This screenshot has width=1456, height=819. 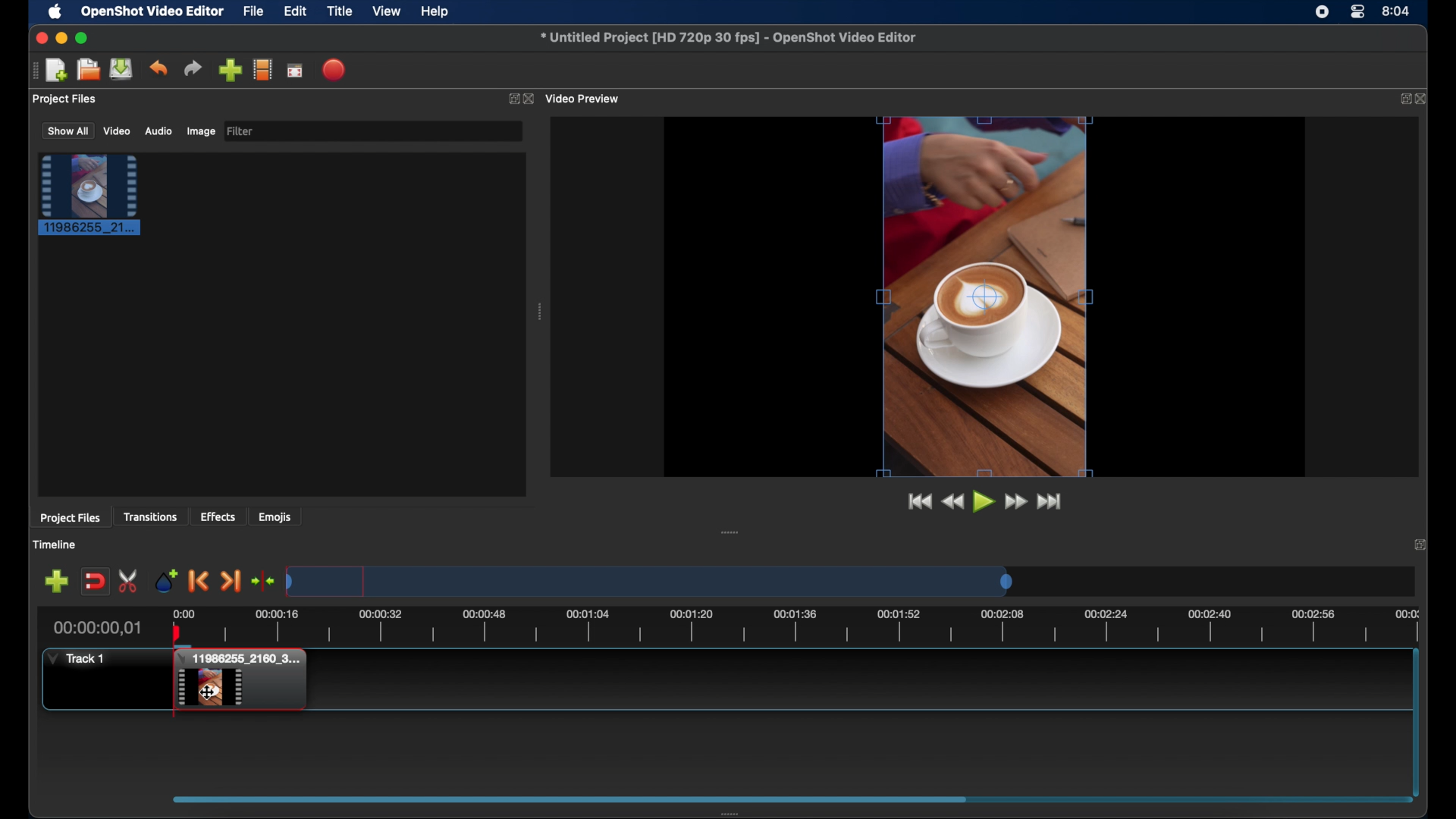 I want to click on jump to start, so click(x=919, y=501).